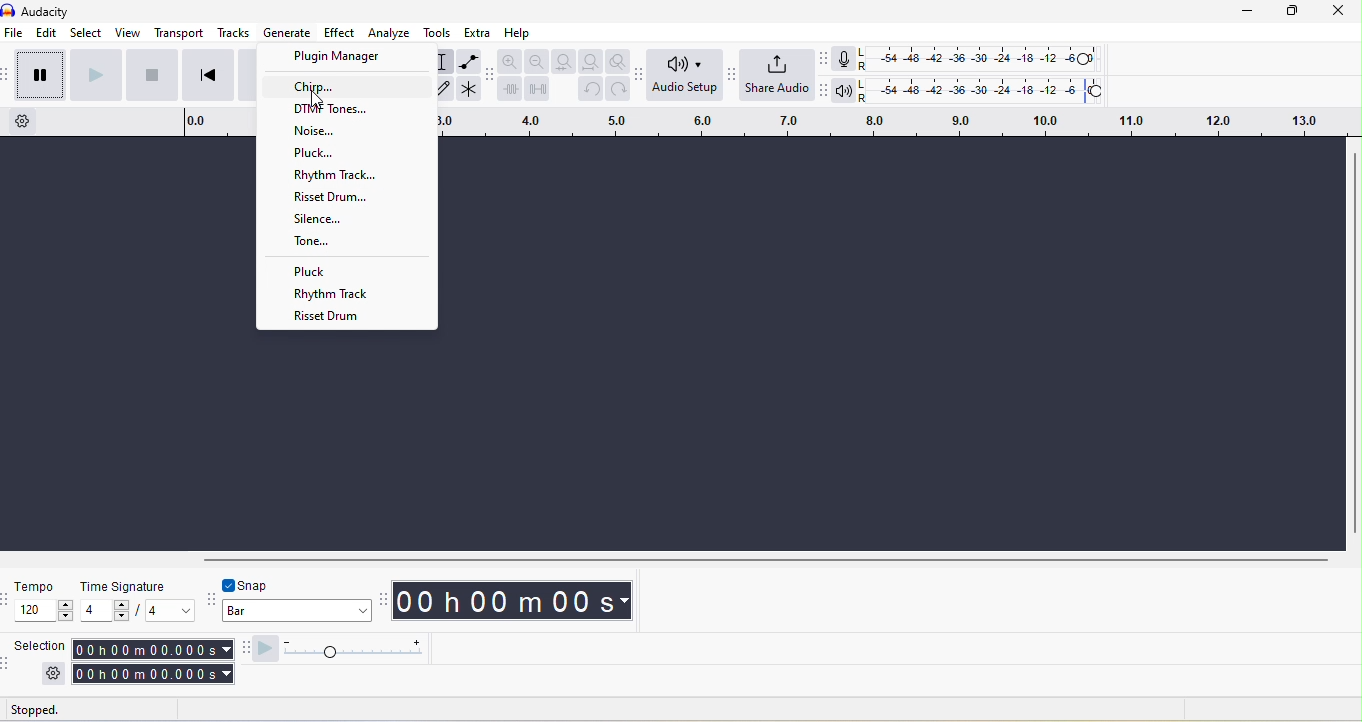  What do you see at coordinates (470, 89) in the screenshot?
I see `multi tool` at bounding box center [470, 89].